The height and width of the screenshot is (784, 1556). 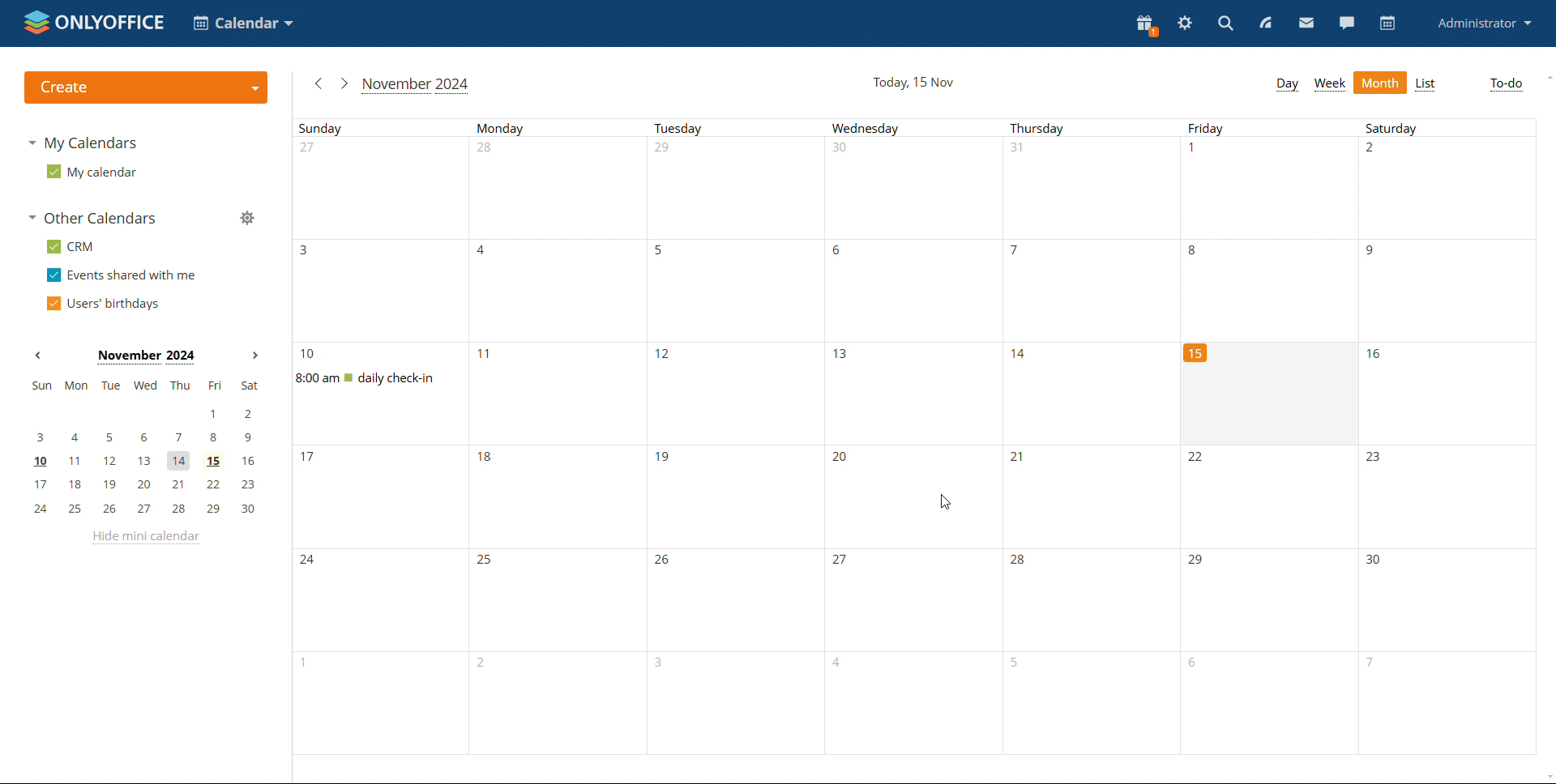 I want to click on Number, so click(x=308, y=460).